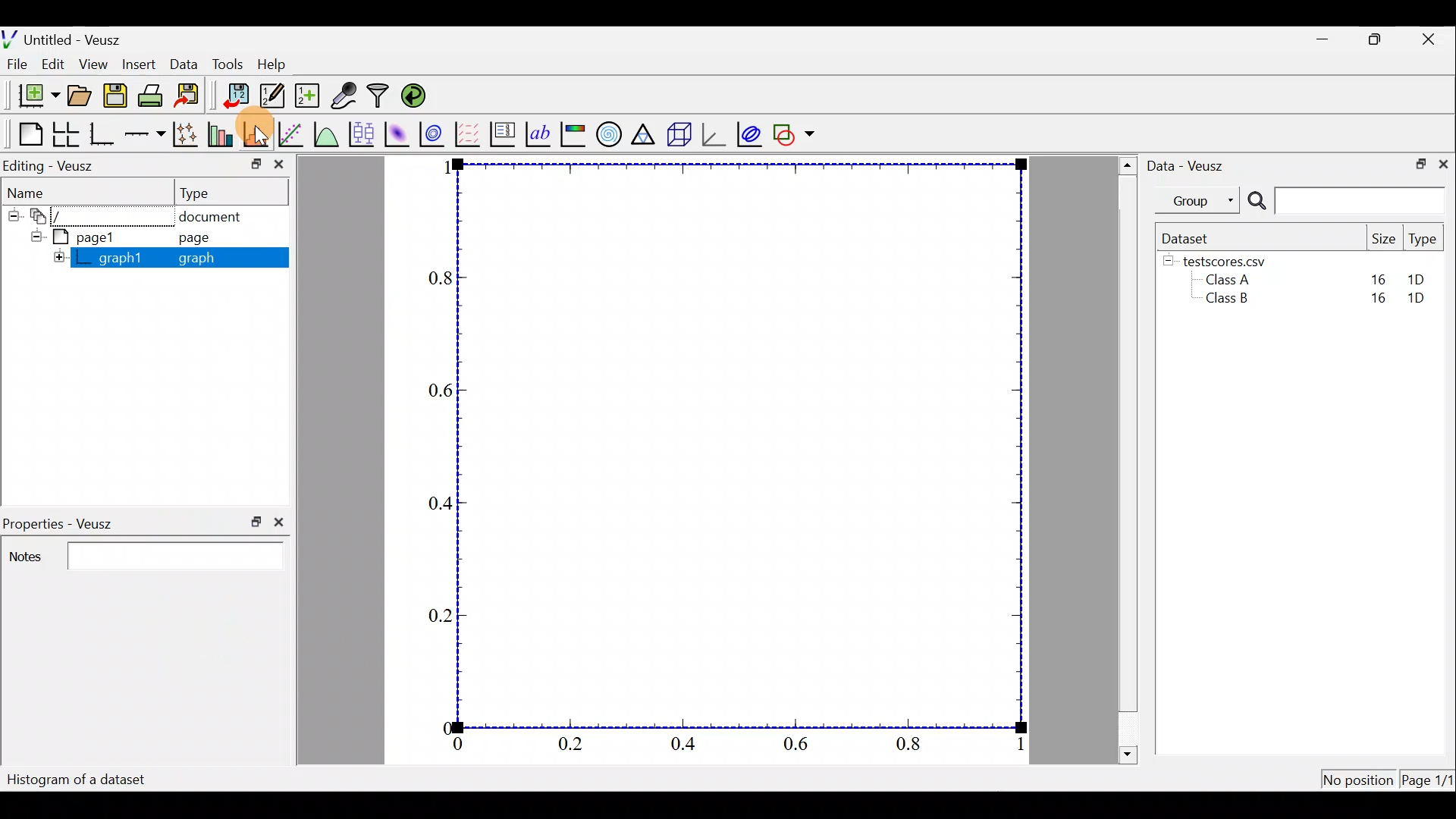 This screenshot has width=1456, height=819. What do you see at coordinates (13, 216) in the screenshot?
I see `hide` at bounding box center [13, 216].